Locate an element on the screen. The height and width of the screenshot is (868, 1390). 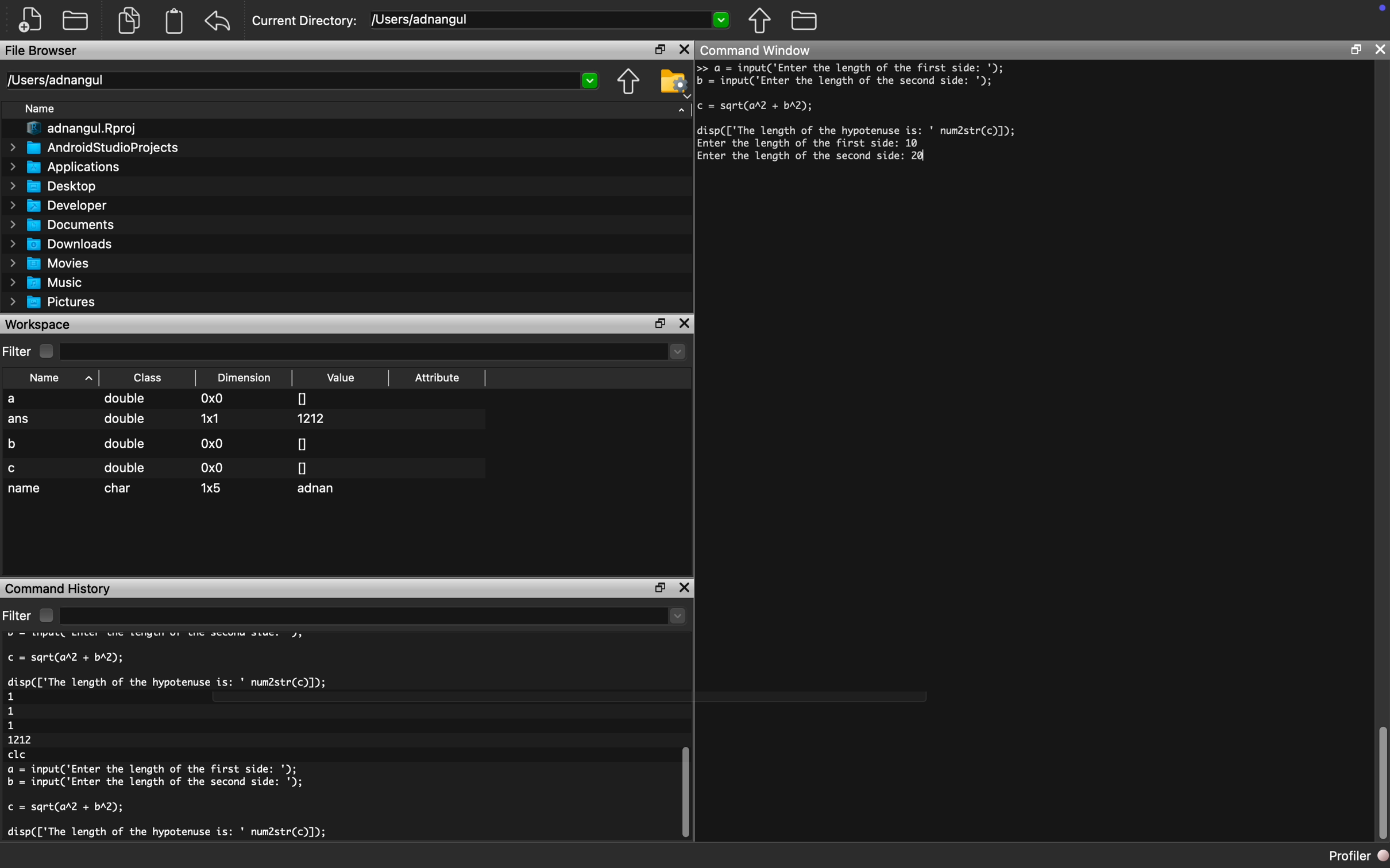
Command History is located at coordinates (60, 587).